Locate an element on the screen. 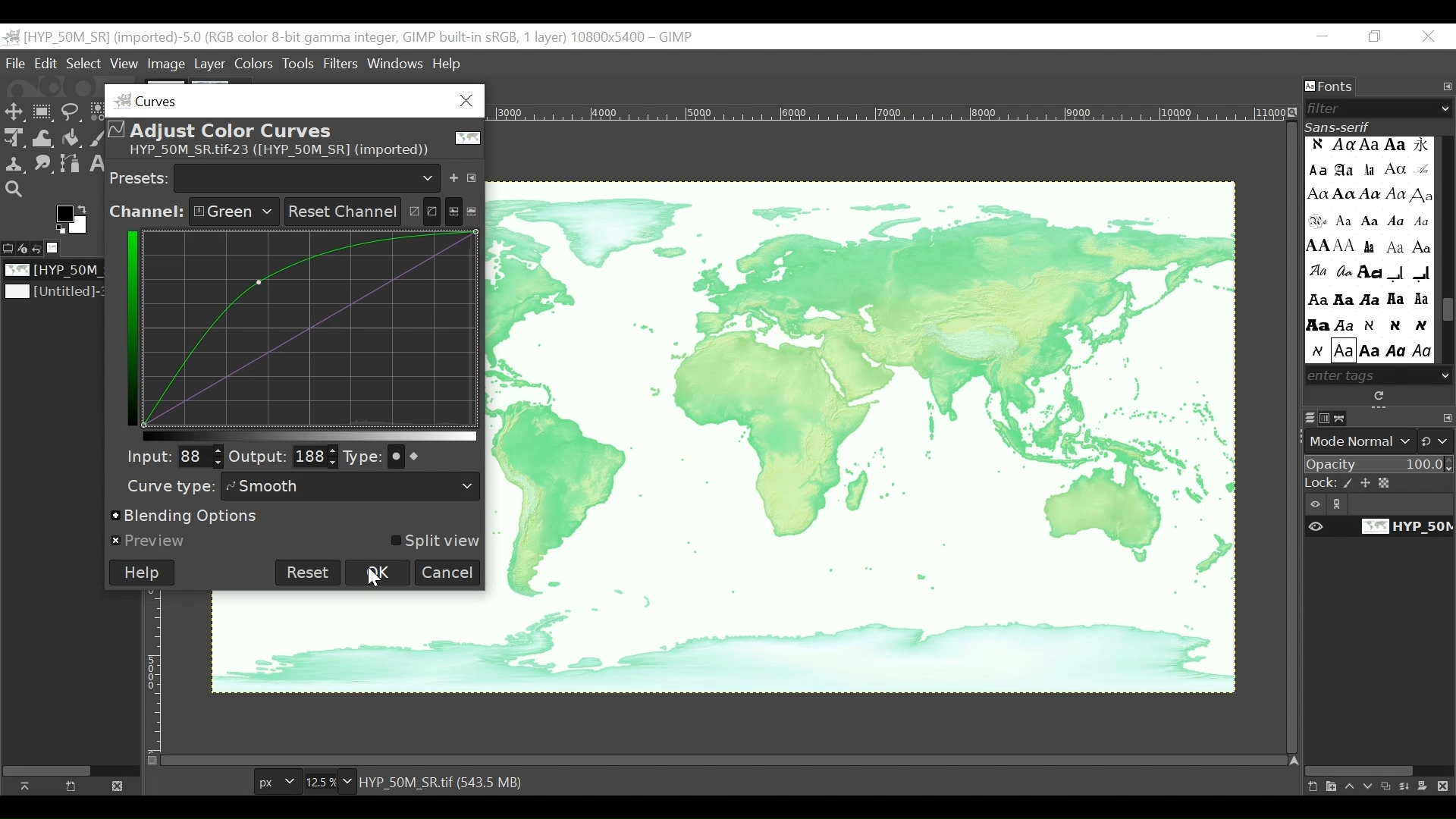 This screenshot has height=819, width=1456. Pixels is located at coordinates (275, 783).